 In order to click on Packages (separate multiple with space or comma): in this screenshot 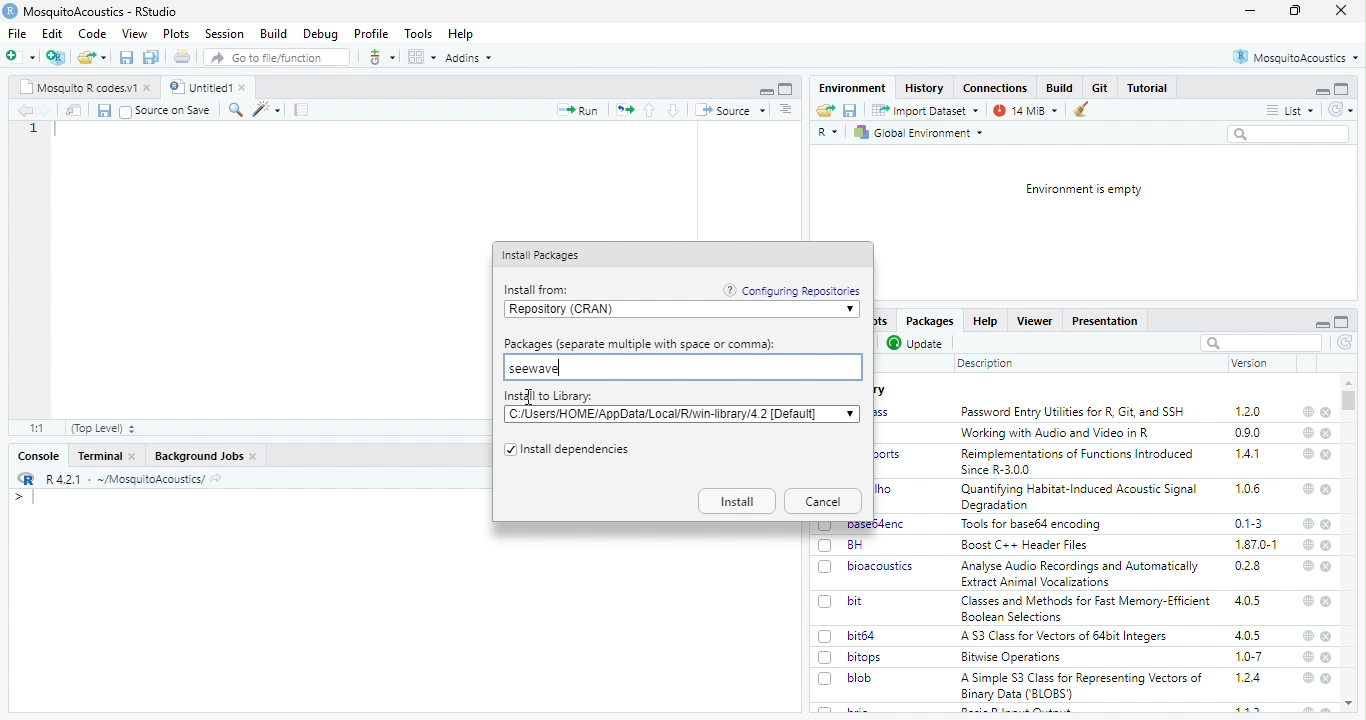, I will do `click(641, 344)`.